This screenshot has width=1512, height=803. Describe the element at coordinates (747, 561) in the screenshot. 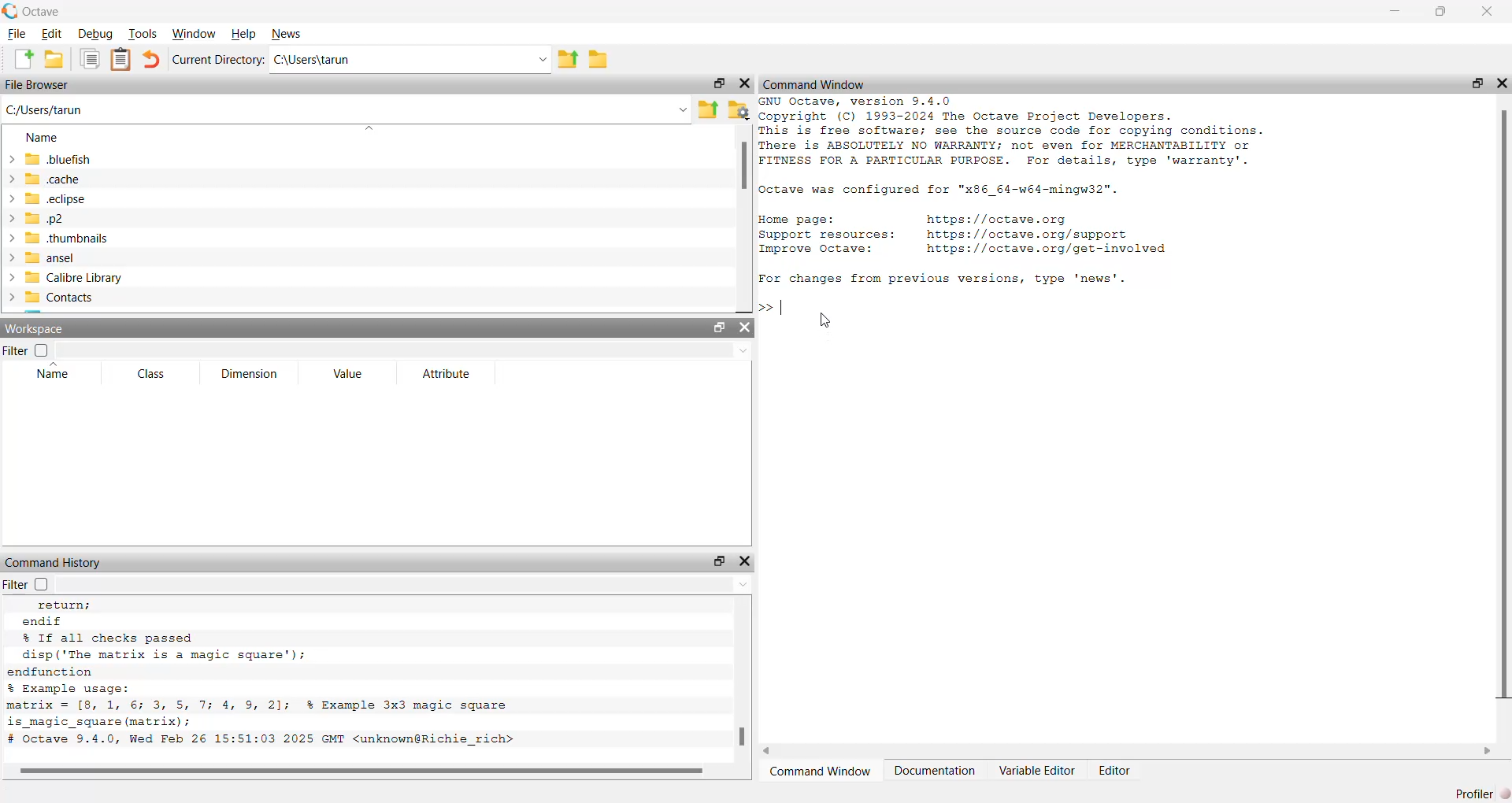

I see `close` at that location.